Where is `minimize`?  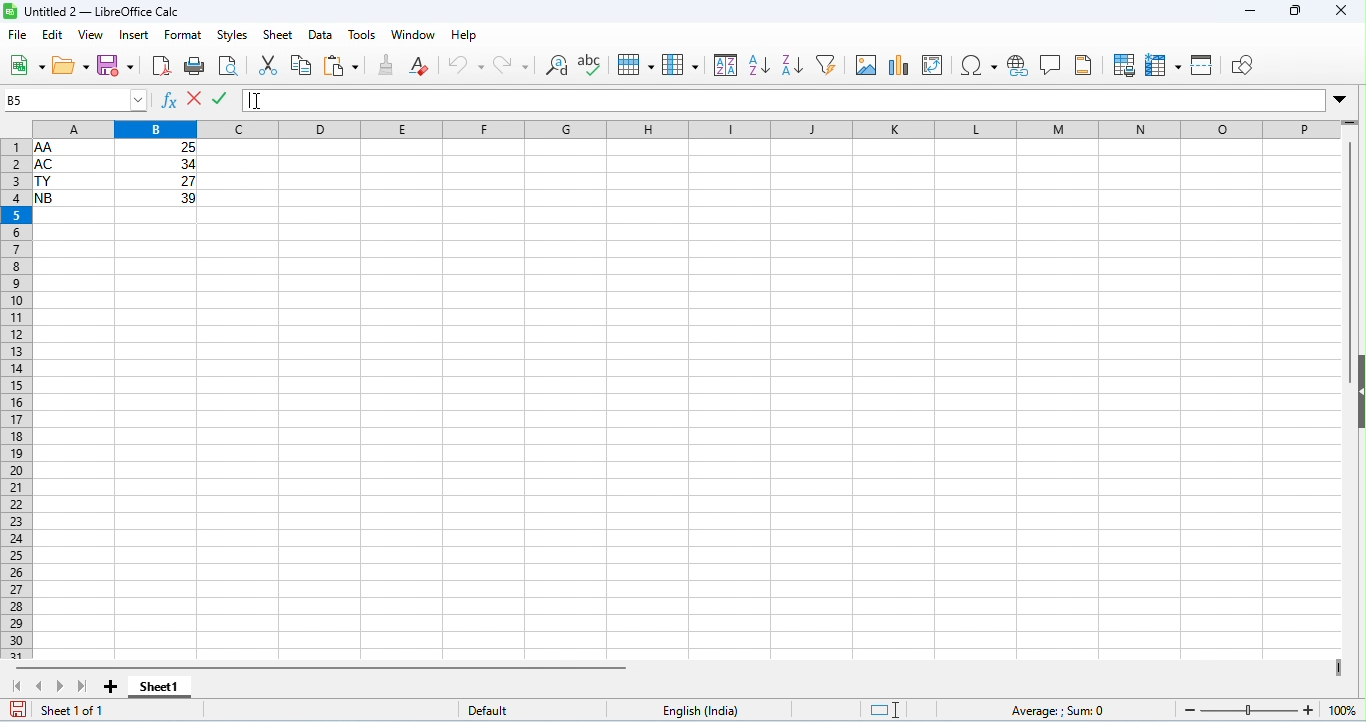 minimize is located at coordinates (1250, 12).